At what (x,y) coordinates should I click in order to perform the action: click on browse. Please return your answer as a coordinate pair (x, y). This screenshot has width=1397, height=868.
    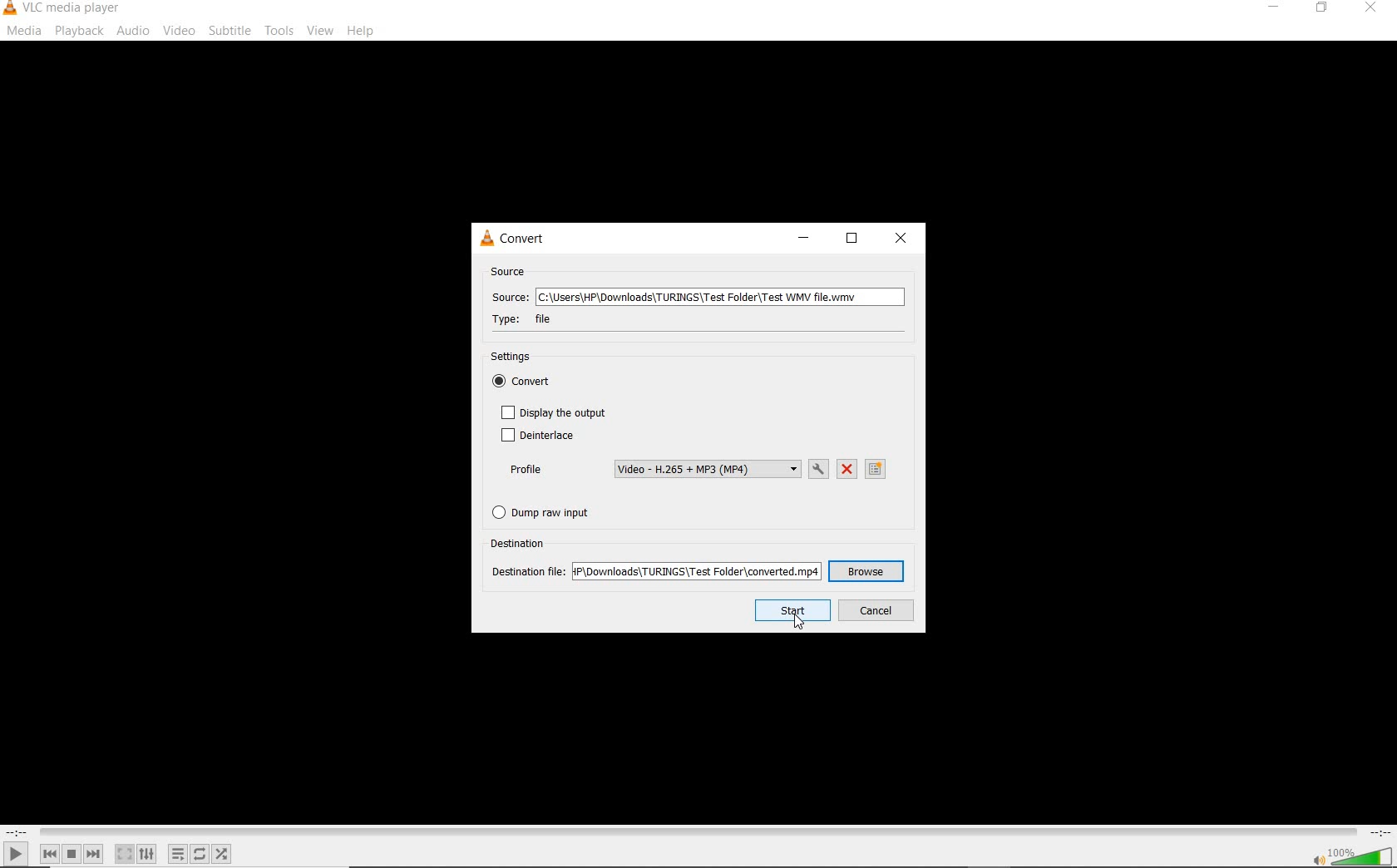
    Looking at the image, I should click on (866, 572).